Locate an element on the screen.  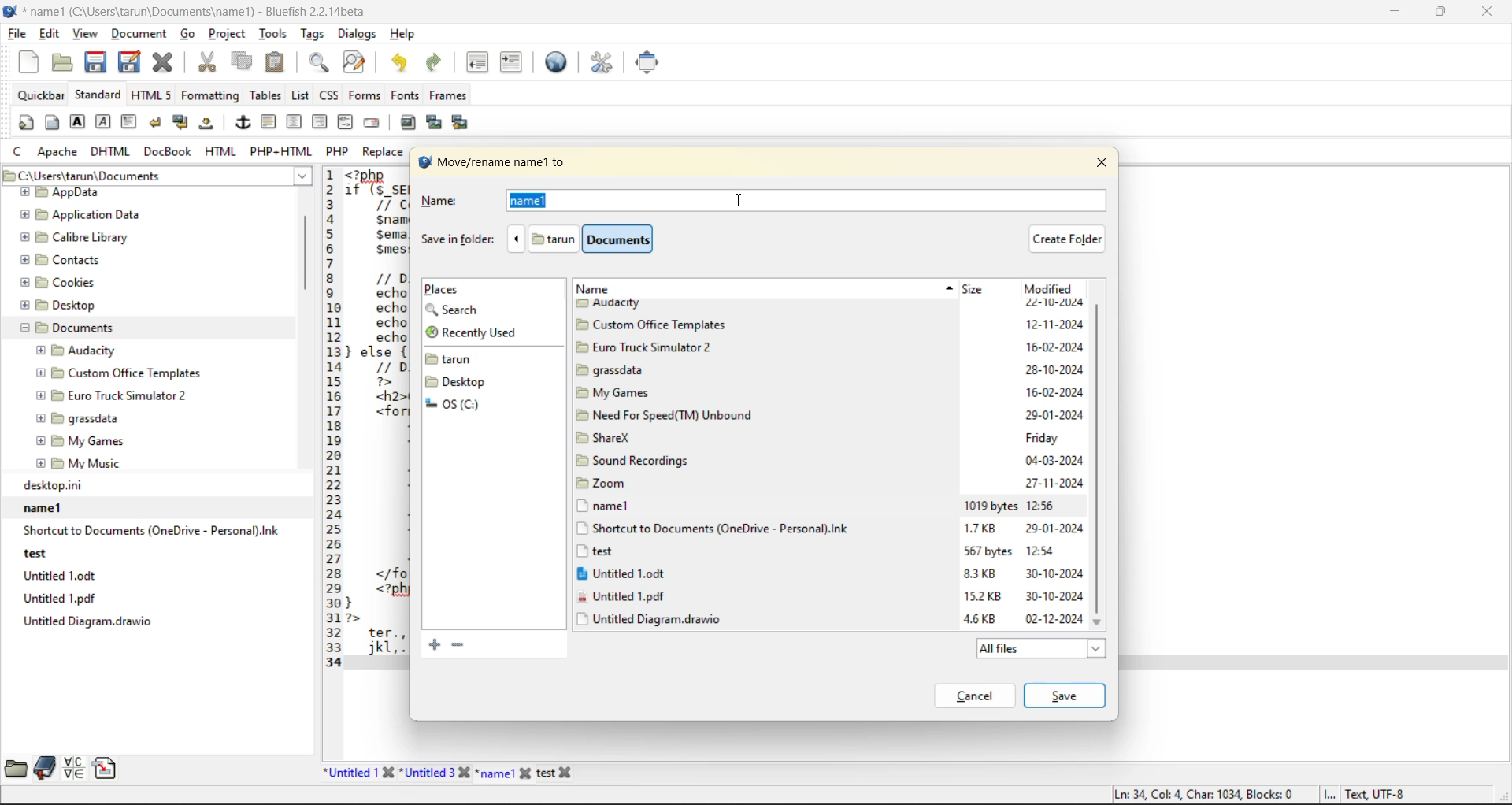
save is located at coordinates (97, 63).